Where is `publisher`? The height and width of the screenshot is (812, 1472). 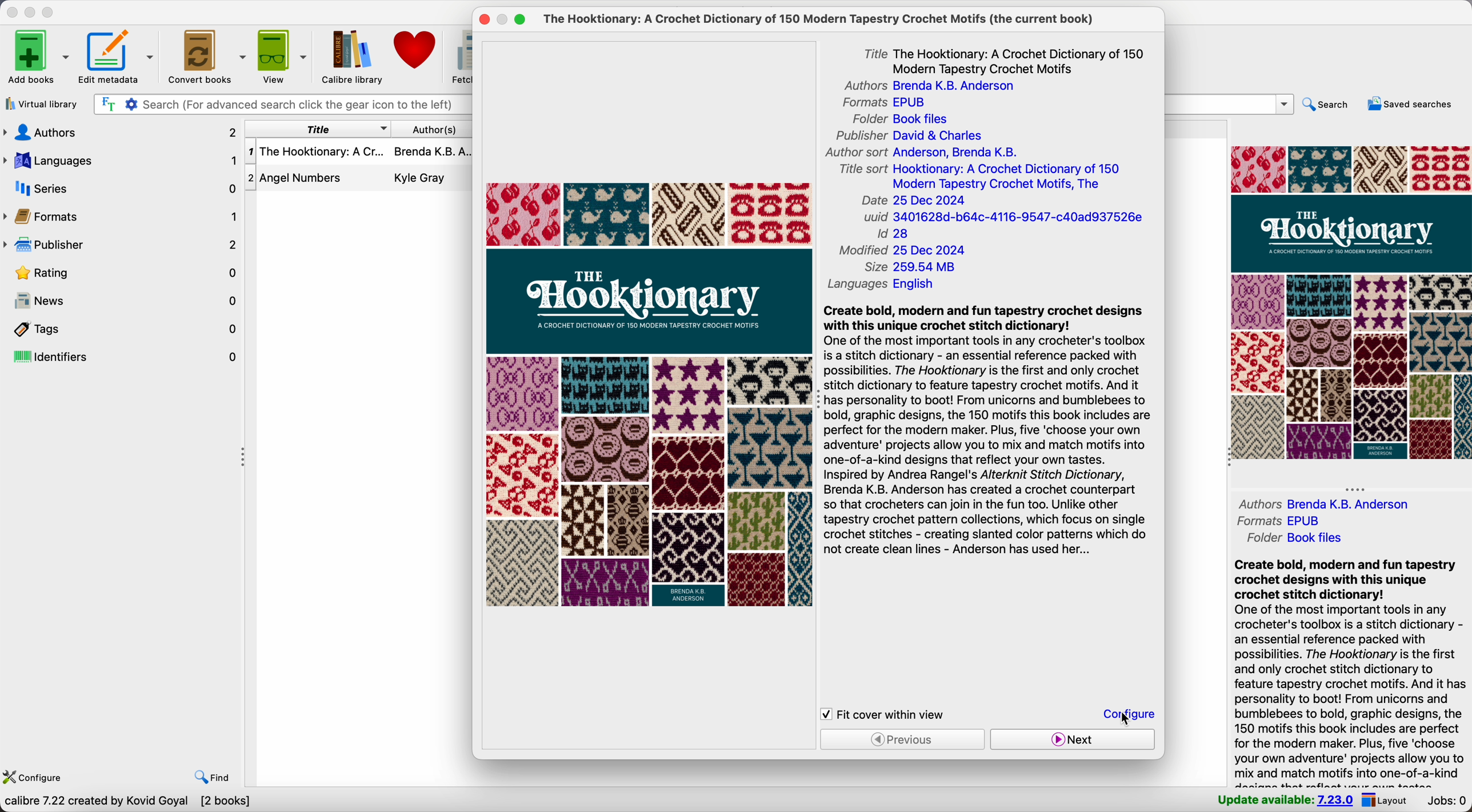
publisher is located at coordinates (122, 246).